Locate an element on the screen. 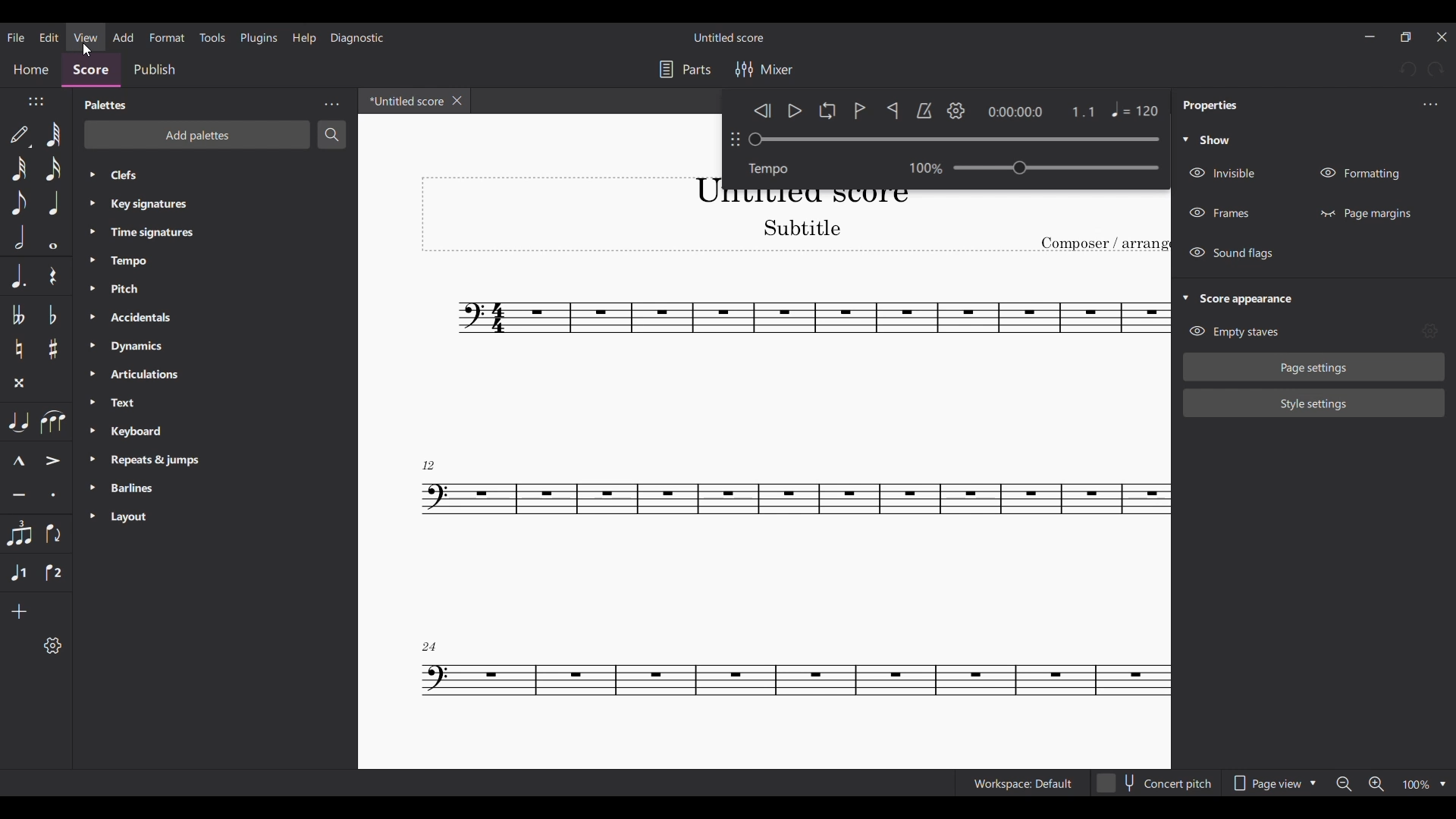  Barlines is located at coordinates (200, 487).